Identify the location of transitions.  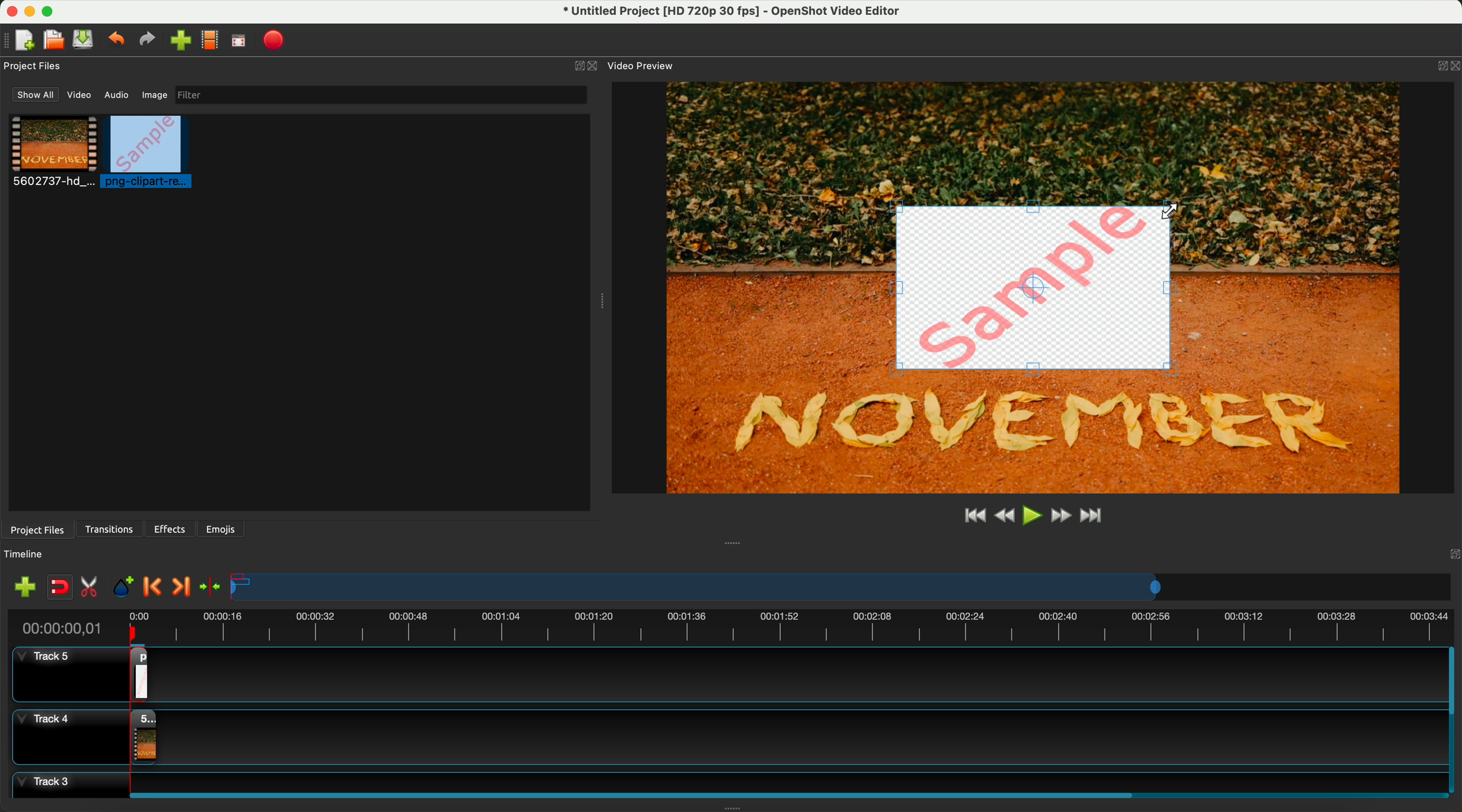
(111, 529).